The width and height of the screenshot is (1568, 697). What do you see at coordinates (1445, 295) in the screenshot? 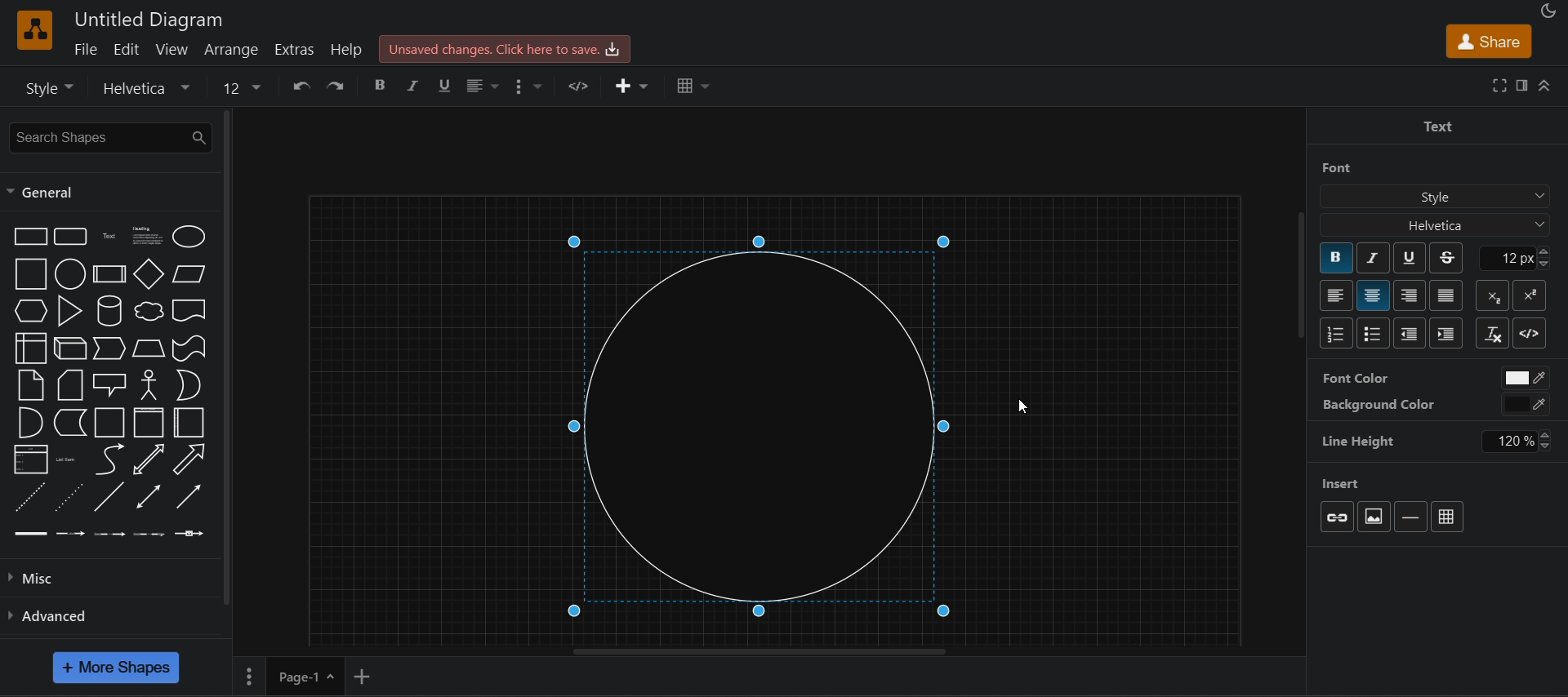
I see `justify` at bounding box center [1445, 295].